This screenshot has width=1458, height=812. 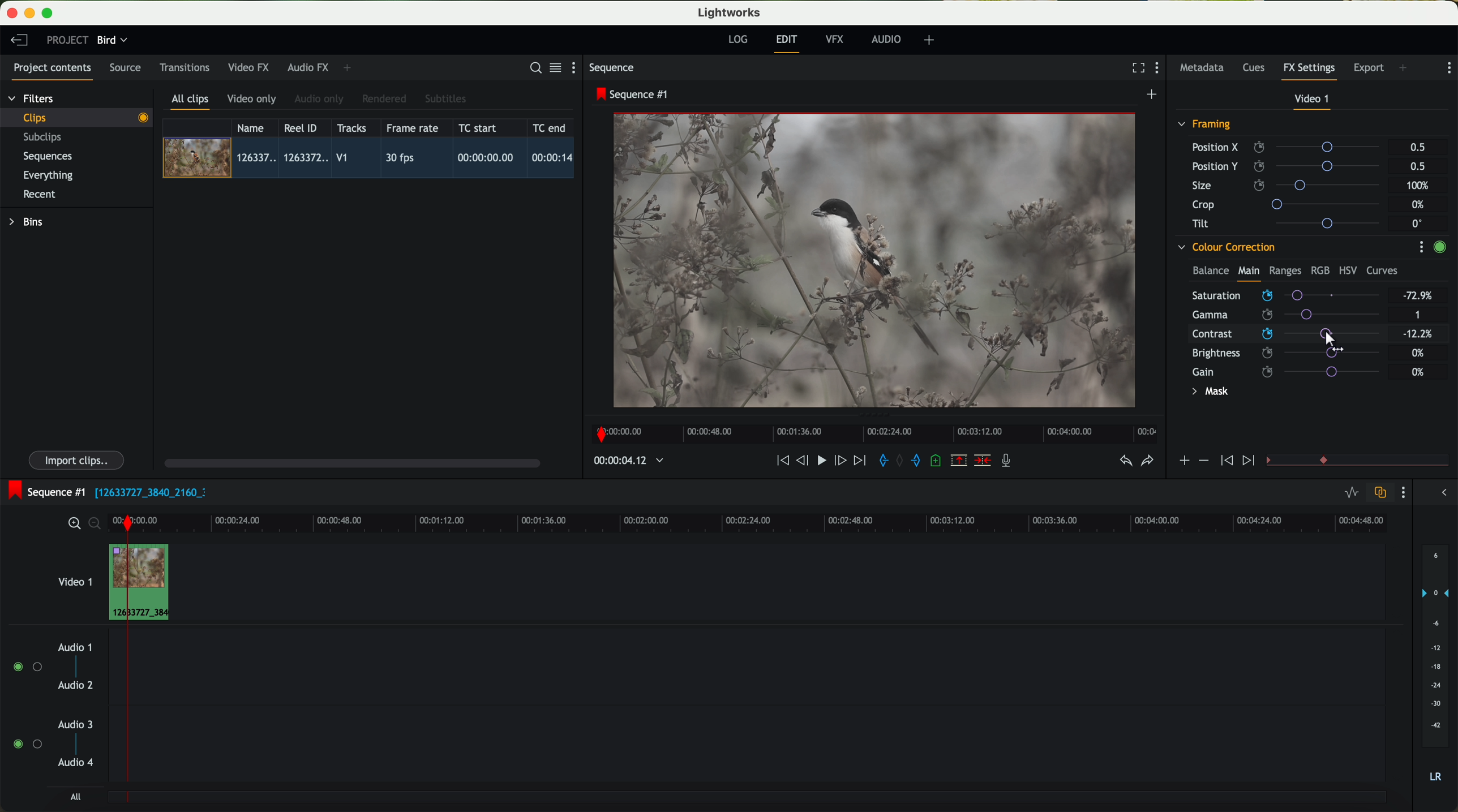 What do you see at coordinates (623, 461) in the screenshot?
I see `timeline` at bounding box center [623, 461].